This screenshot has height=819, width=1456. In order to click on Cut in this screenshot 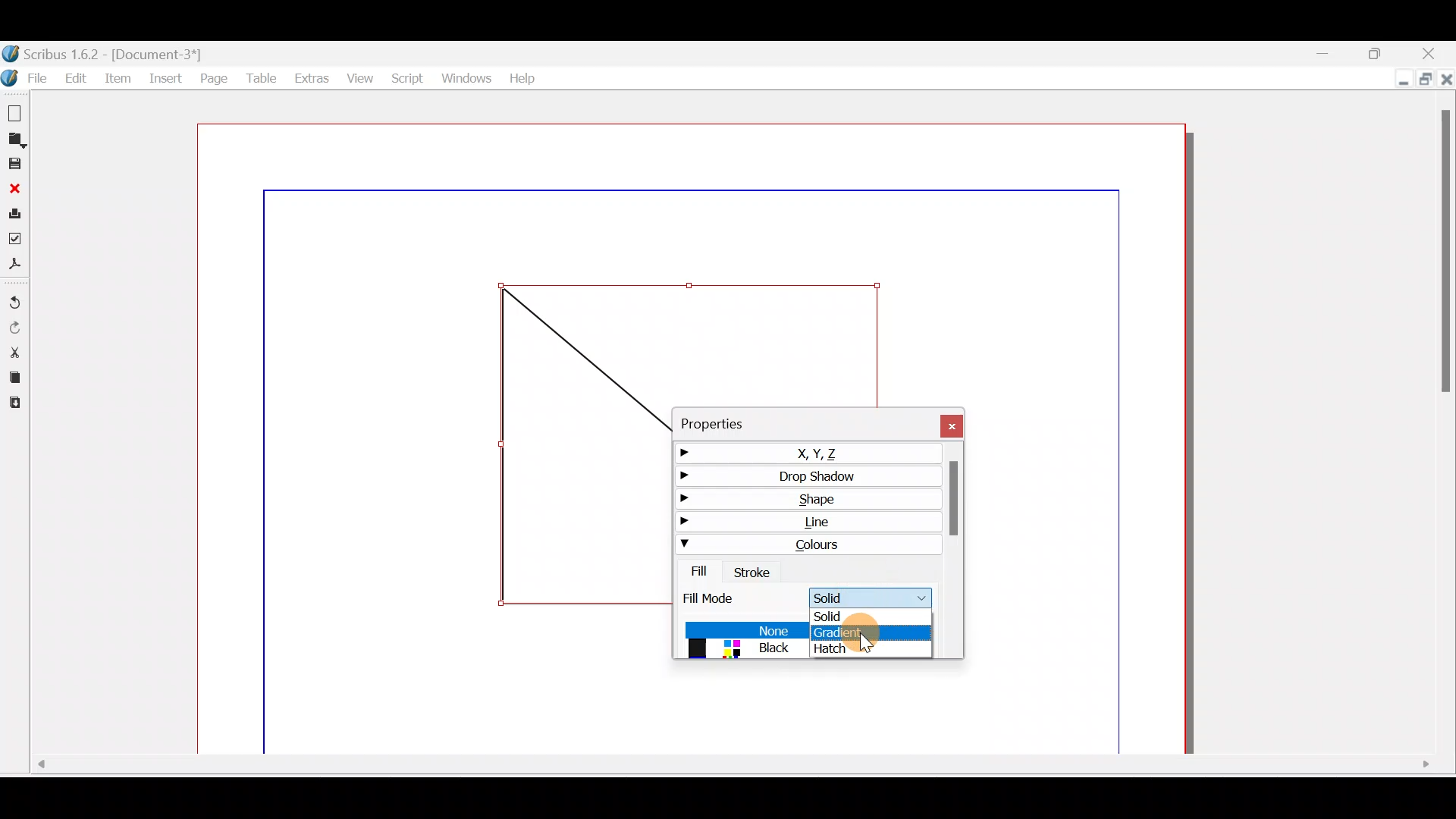, I will do `click(14, 351)`.